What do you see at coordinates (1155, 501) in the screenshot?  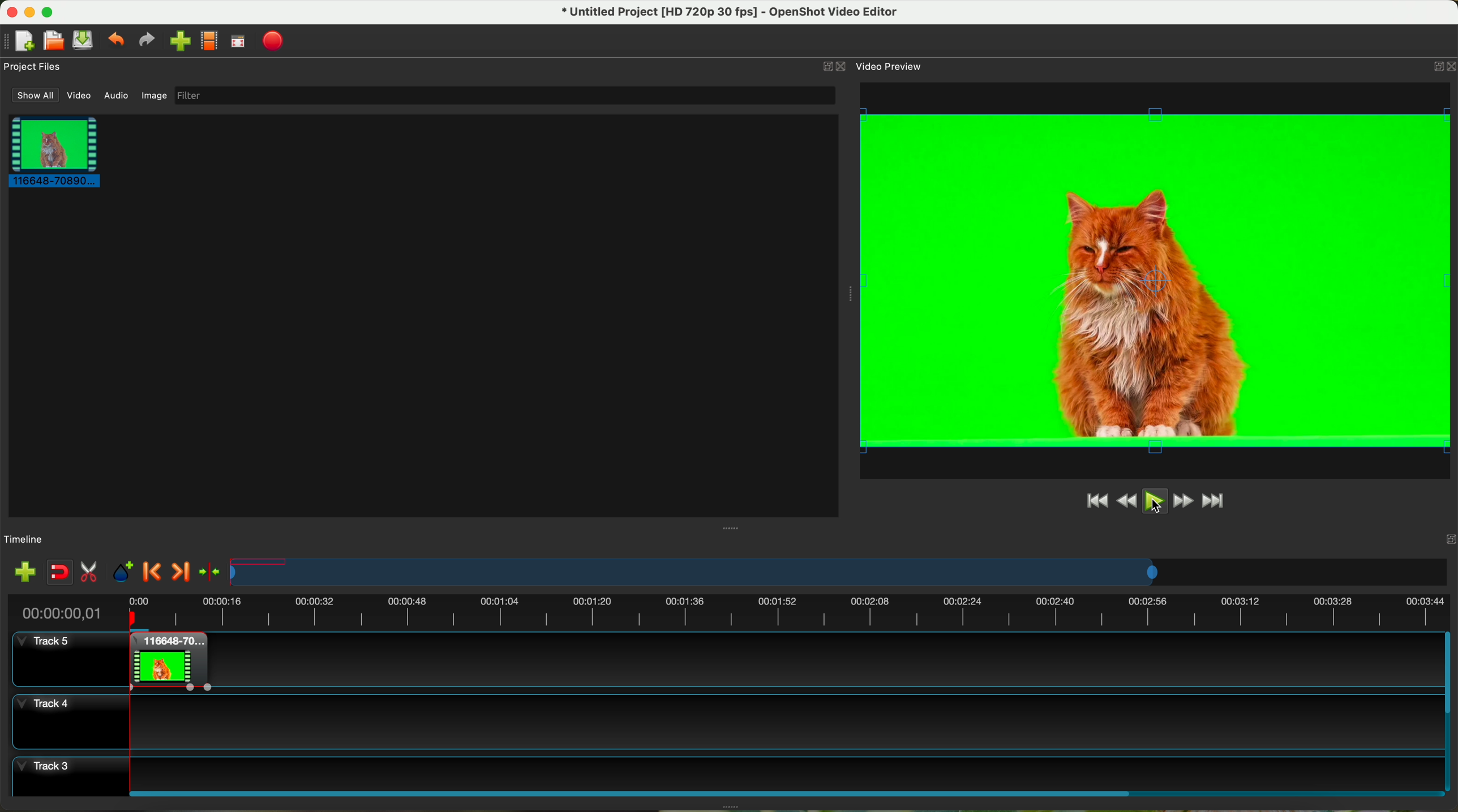 I see `click on play` at bounding box center [1155, 501].